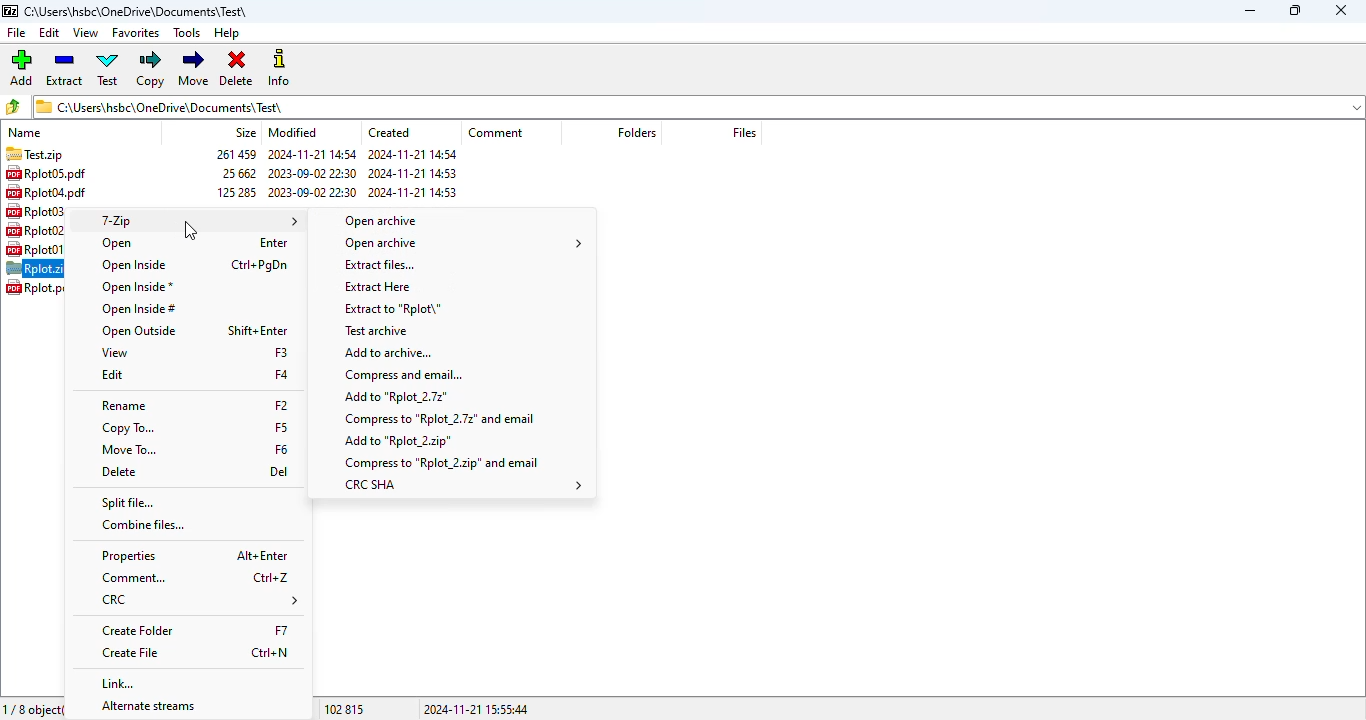 This screenshot has height=720, width=1366. I want to click on logo, so click(11, 11).